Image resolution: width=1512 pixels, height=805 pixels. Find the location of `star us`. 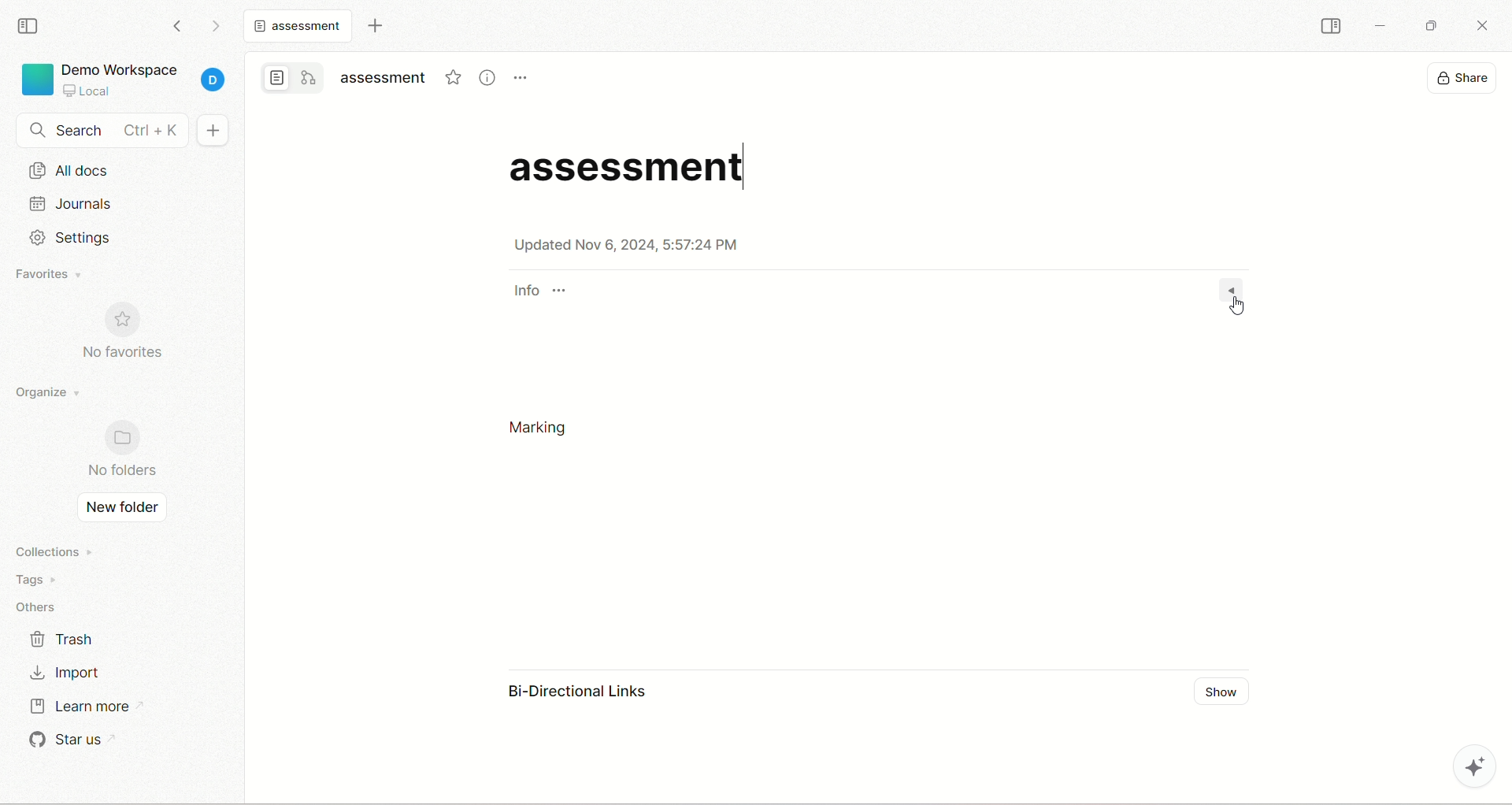

star us is located at coordinates (68, 741).